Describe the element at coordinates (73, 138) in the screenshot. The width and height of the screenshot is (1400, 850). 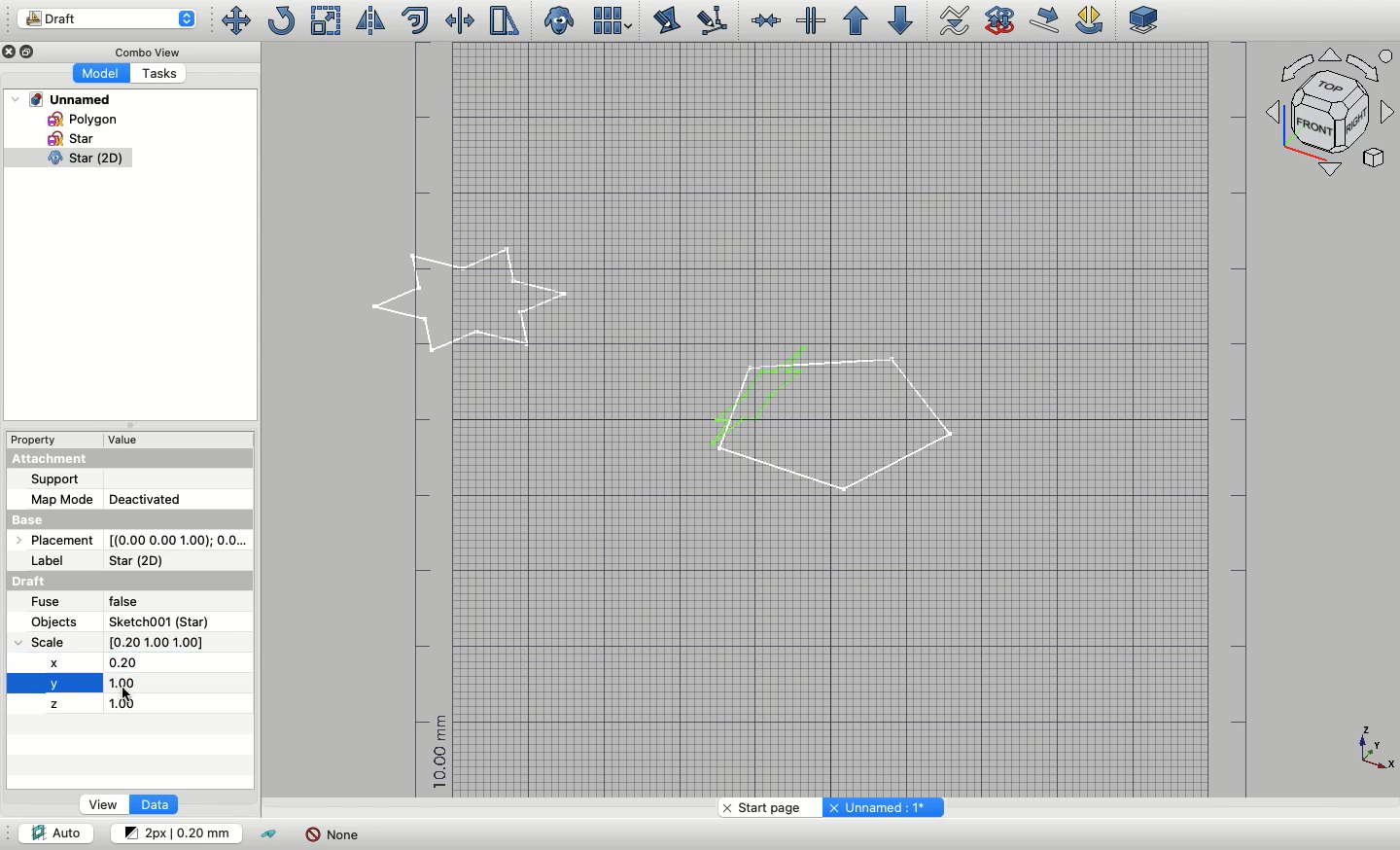
I see `Star` at that location.